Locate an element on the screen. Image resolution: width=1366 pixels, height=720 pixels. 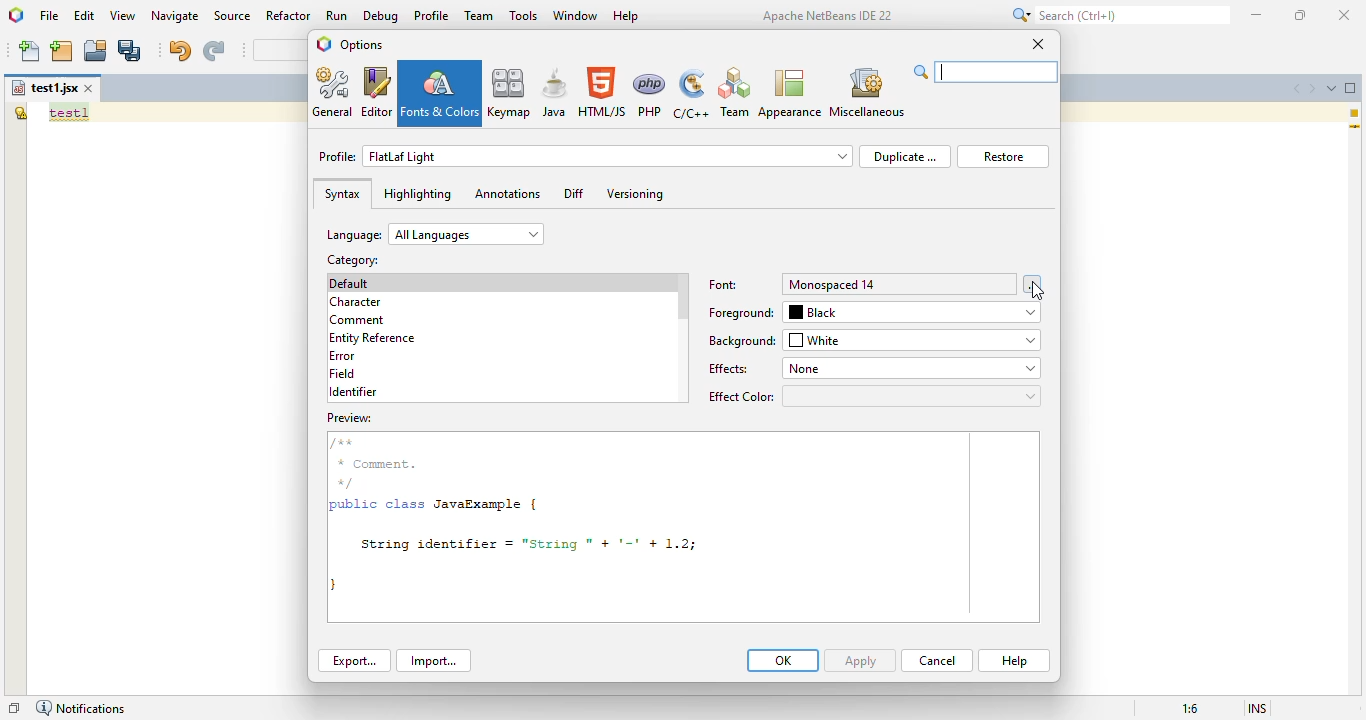
options is located at coordinates (363, 45).